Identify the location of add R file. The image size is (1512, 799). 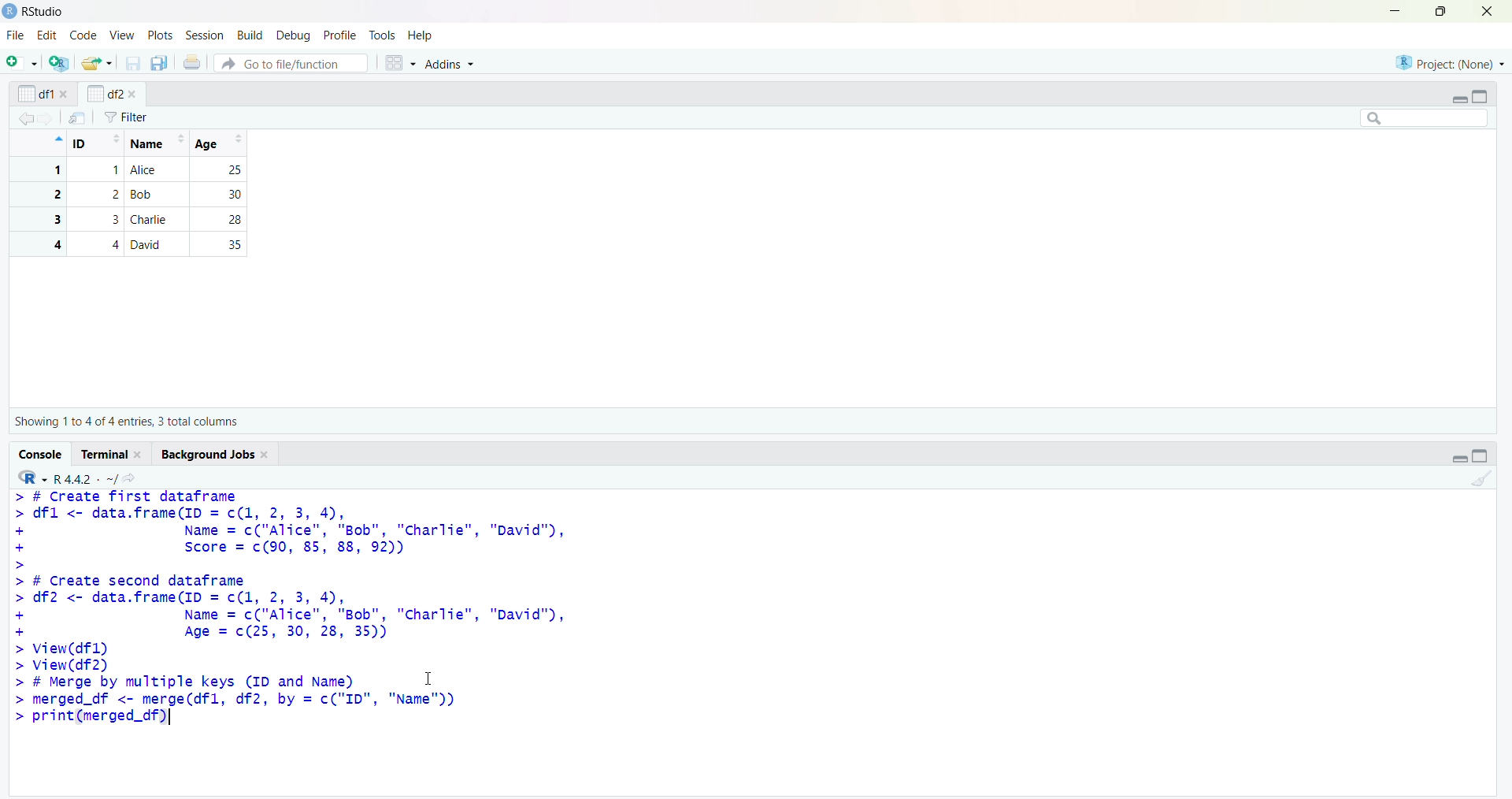
(60, 63).